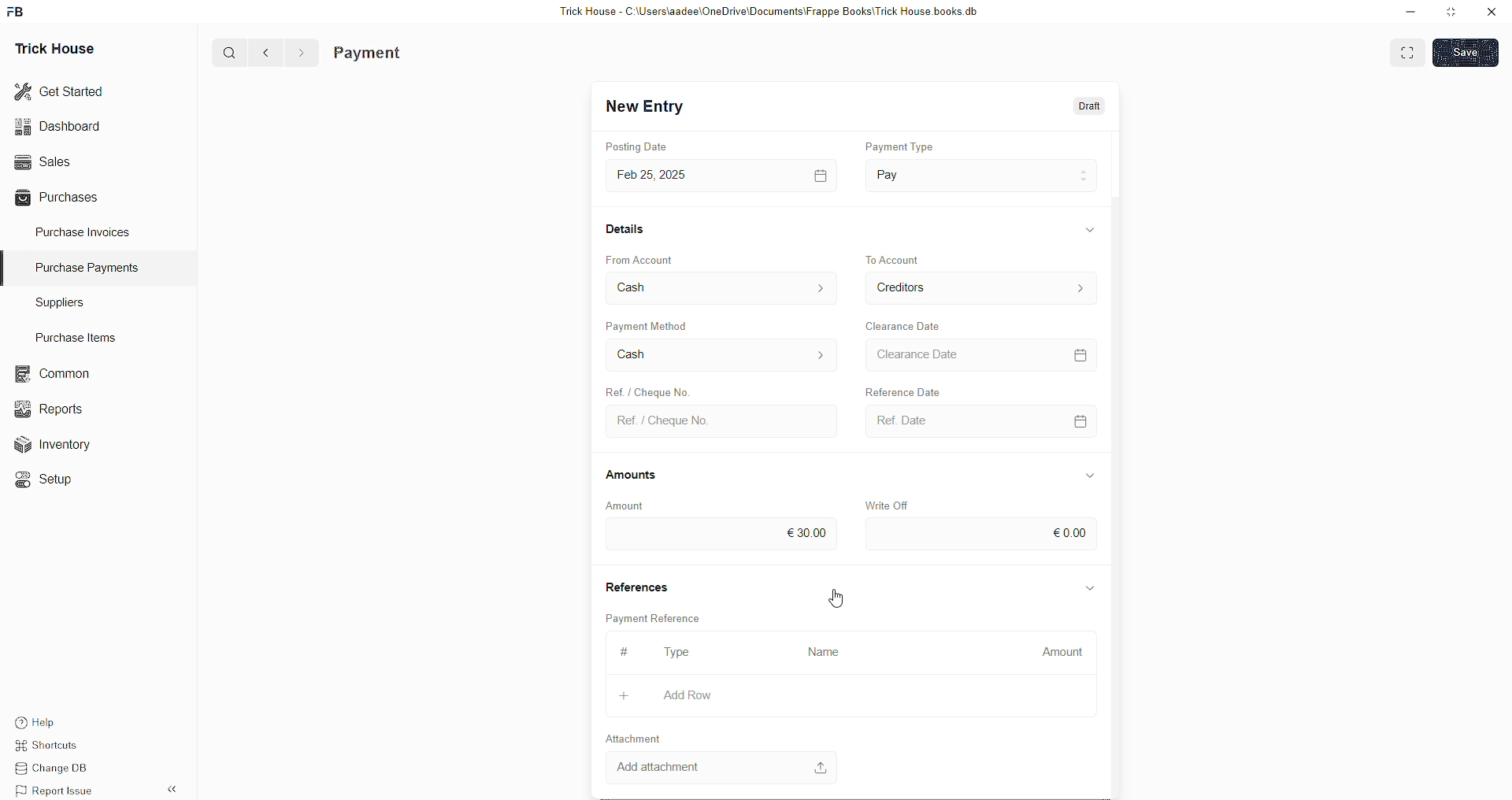  What do you see at coordinates (642, 287) in the screenshot?
I see `Cash` at bounding box center [642, 287].